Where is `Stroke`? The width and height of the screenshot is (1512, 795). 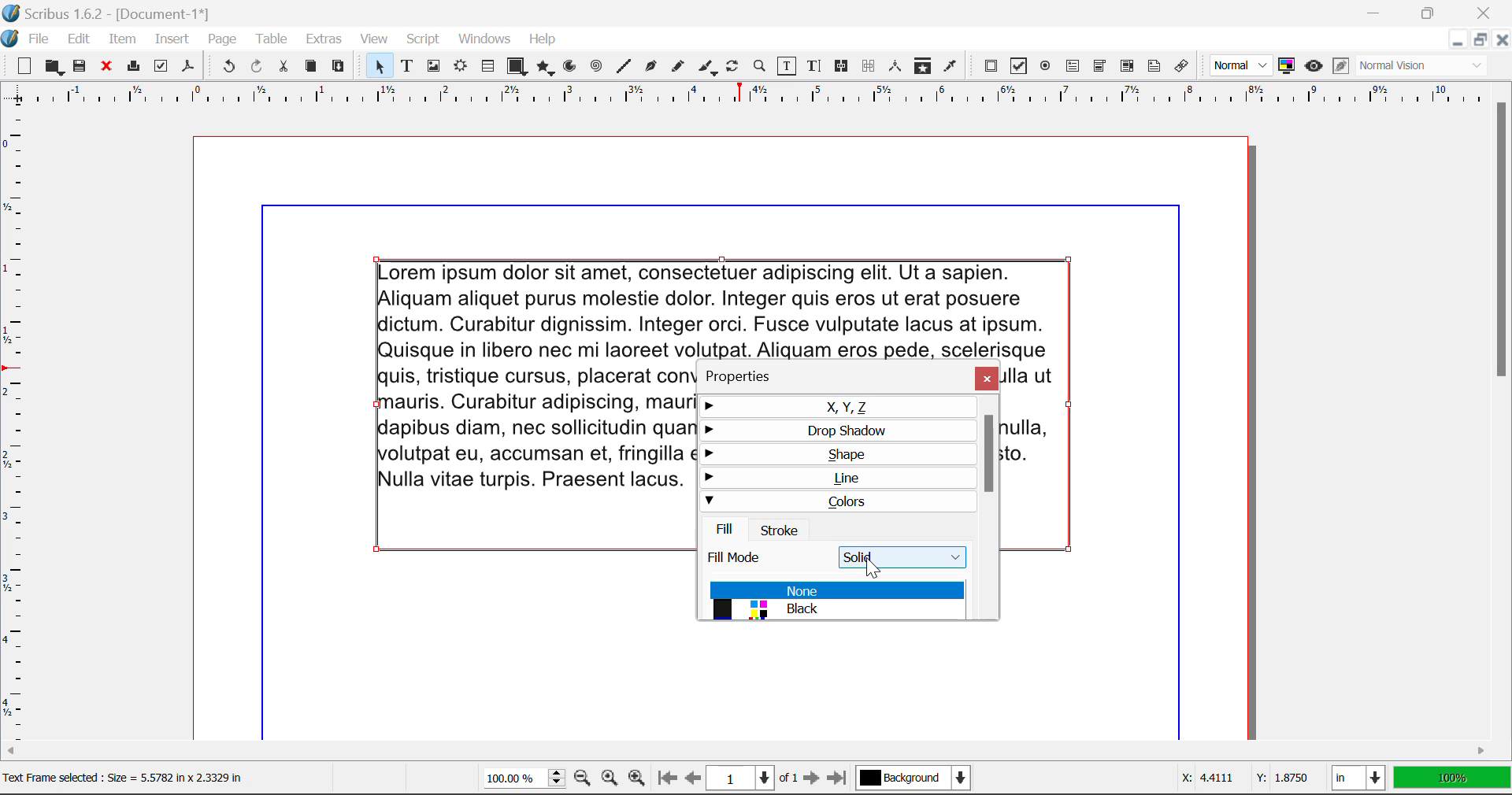 Stroke is located at coordinates (780, 529).